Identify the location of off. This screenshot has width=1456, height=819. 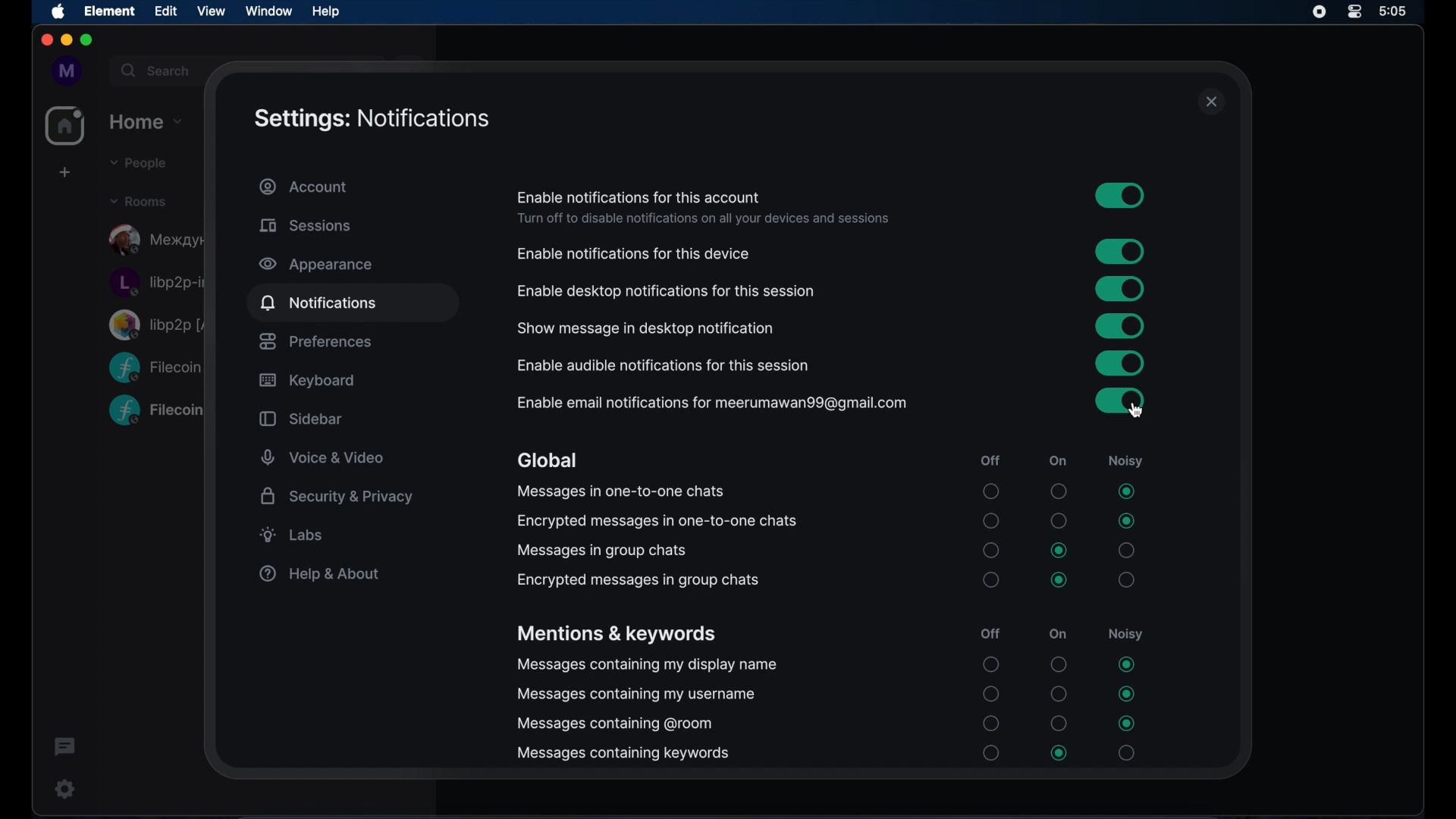
(989, 461).